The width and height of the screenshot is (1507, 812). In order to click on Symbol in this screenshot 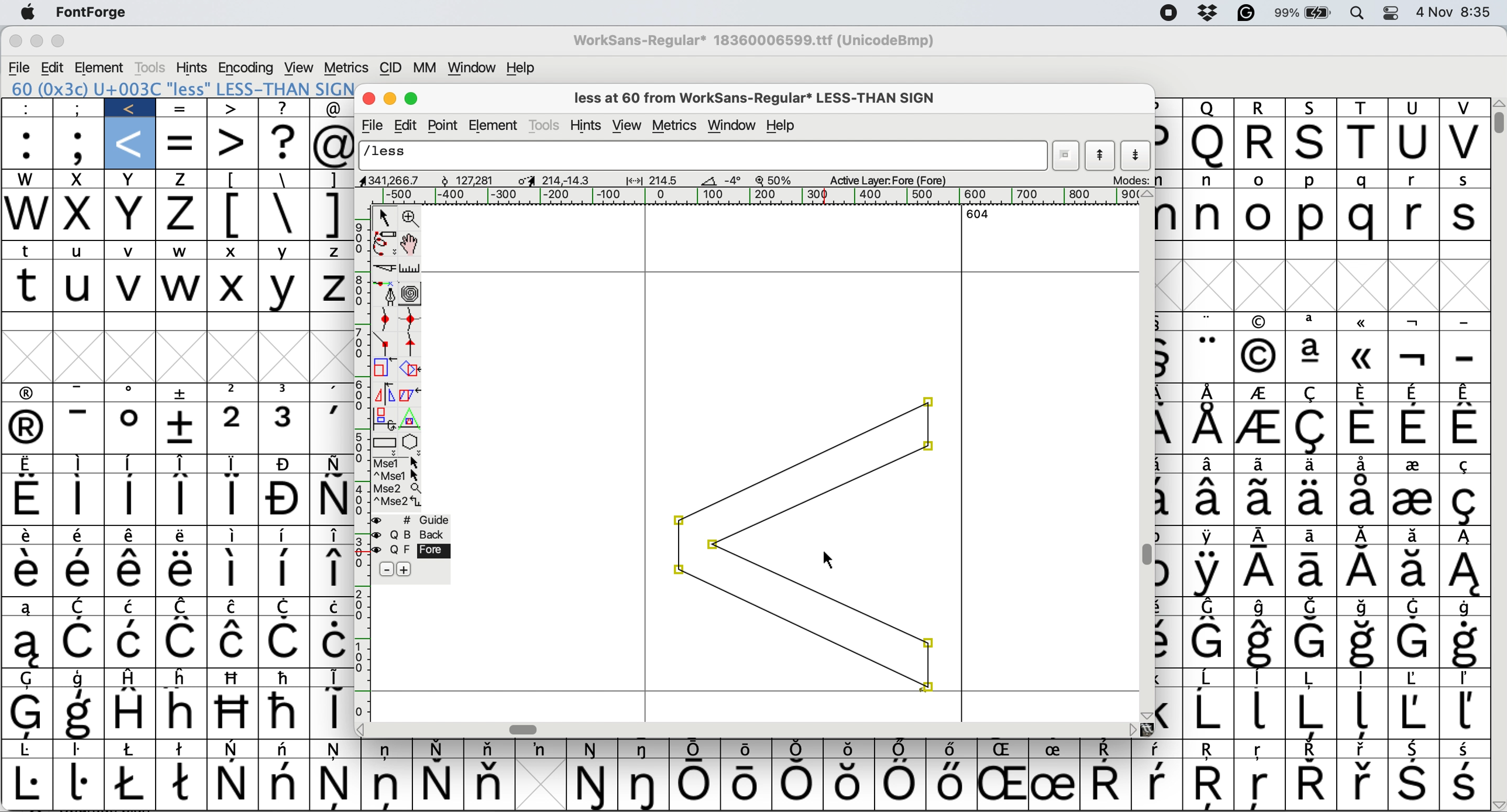, I will do `click(1360, 358)`.